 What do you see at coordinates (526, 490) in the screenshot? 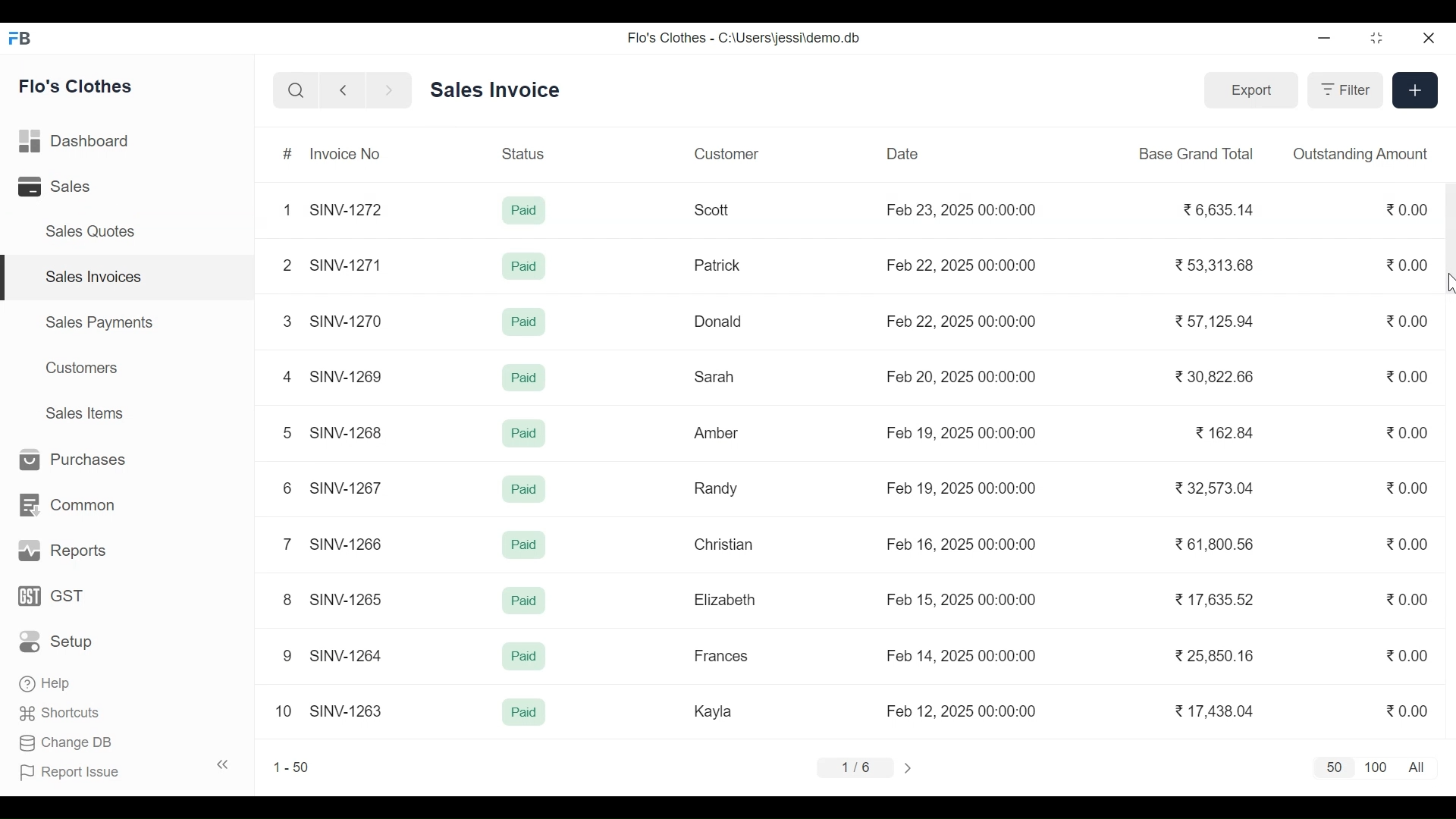
I see `` at bounding box center [526, 490].